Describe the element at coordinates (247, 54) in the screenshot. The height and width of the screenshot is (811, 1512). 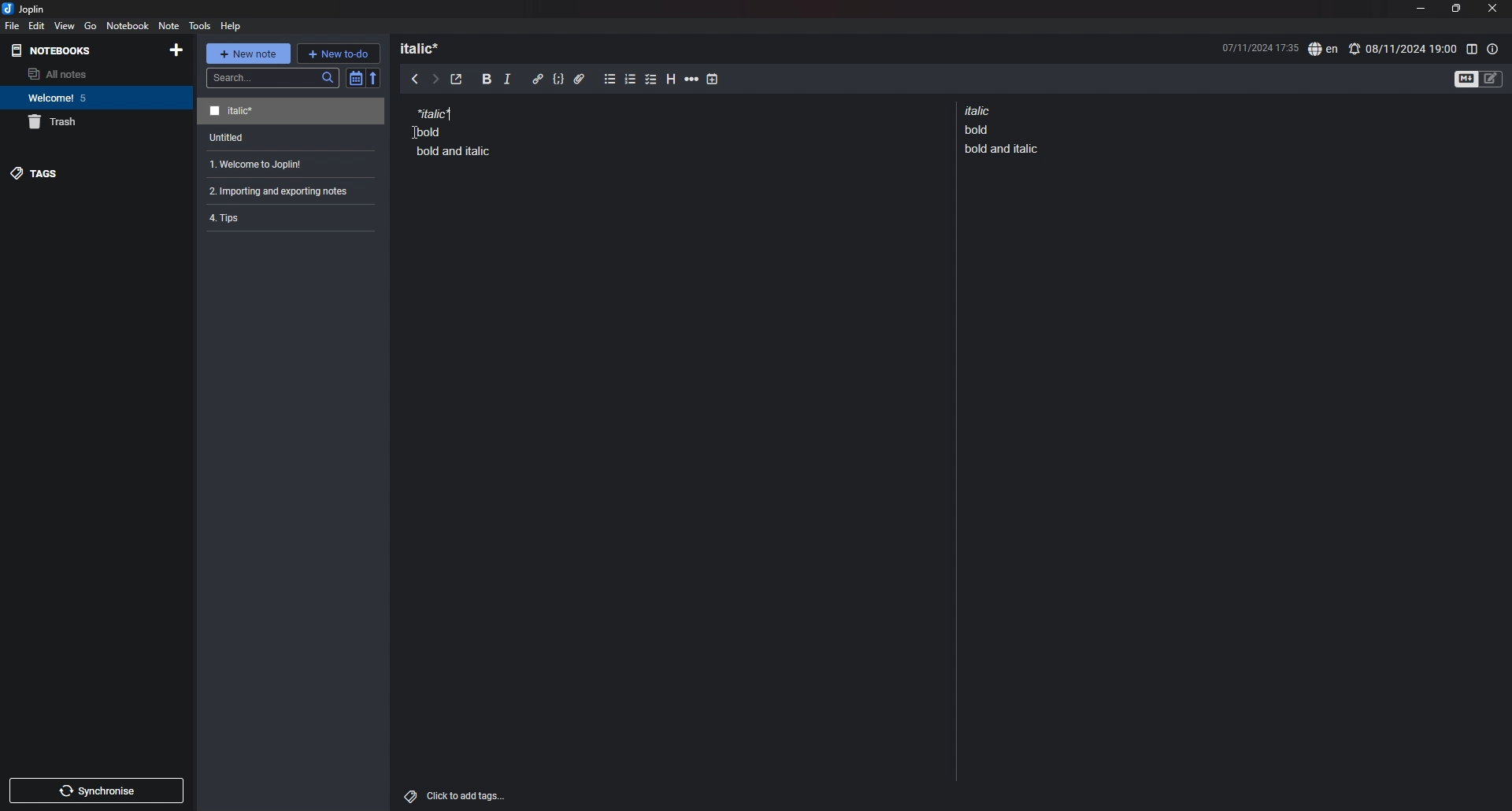
I see `new note` at that location.